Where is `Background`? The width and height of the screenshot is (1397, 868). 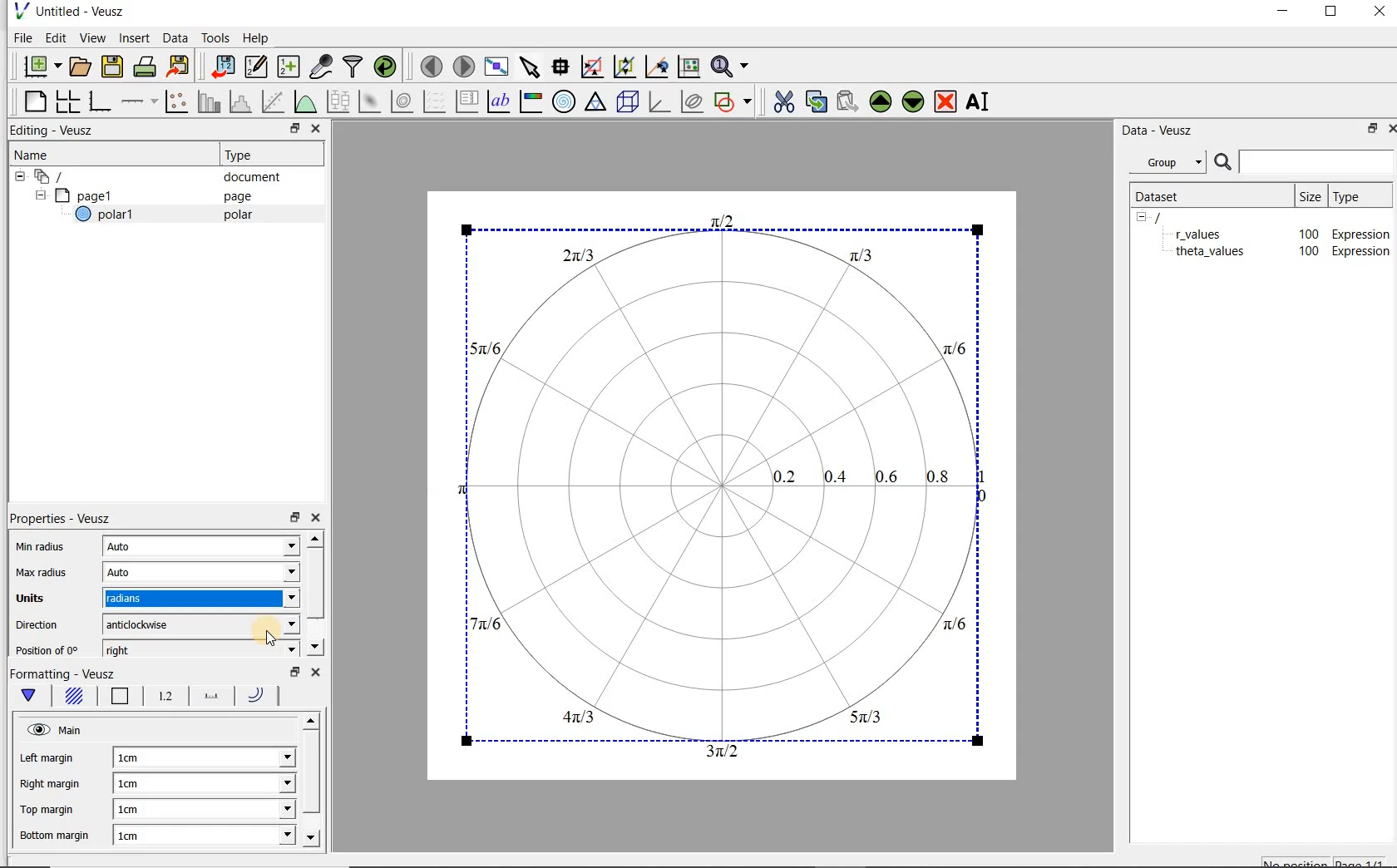
Background is located at coordinates (75, 696).